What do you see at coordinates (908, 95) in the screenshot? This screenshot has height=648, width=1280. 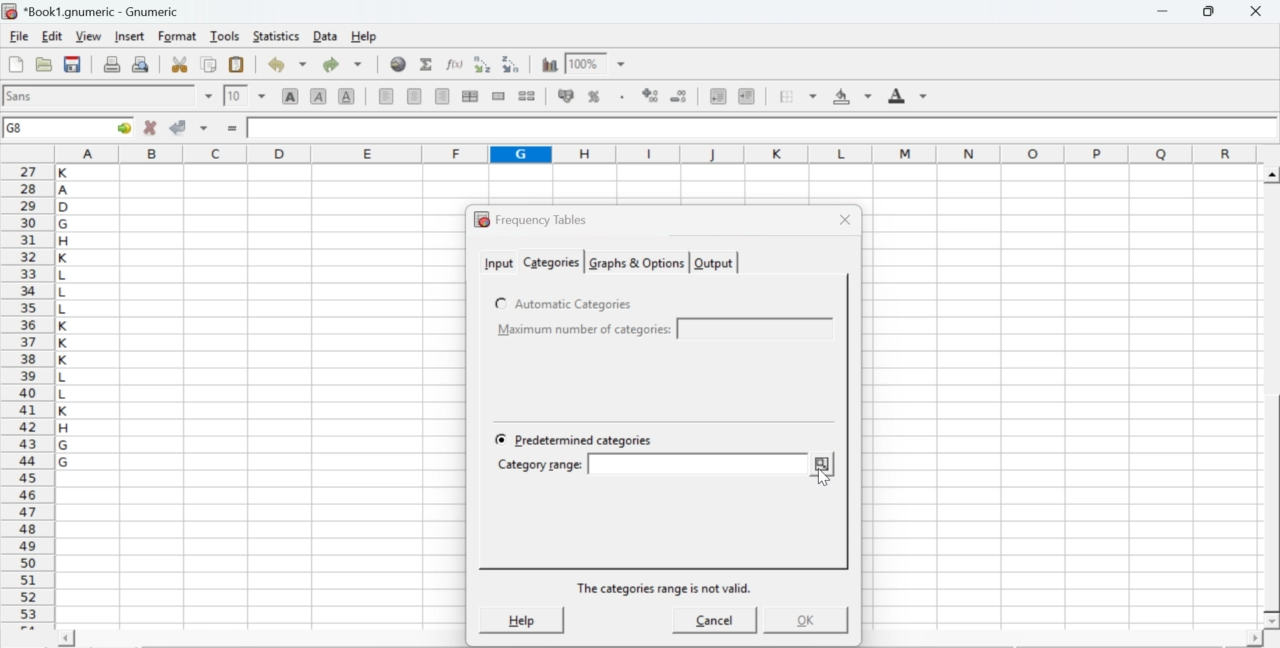 I see `foreground` at bounding box center [908, 95].